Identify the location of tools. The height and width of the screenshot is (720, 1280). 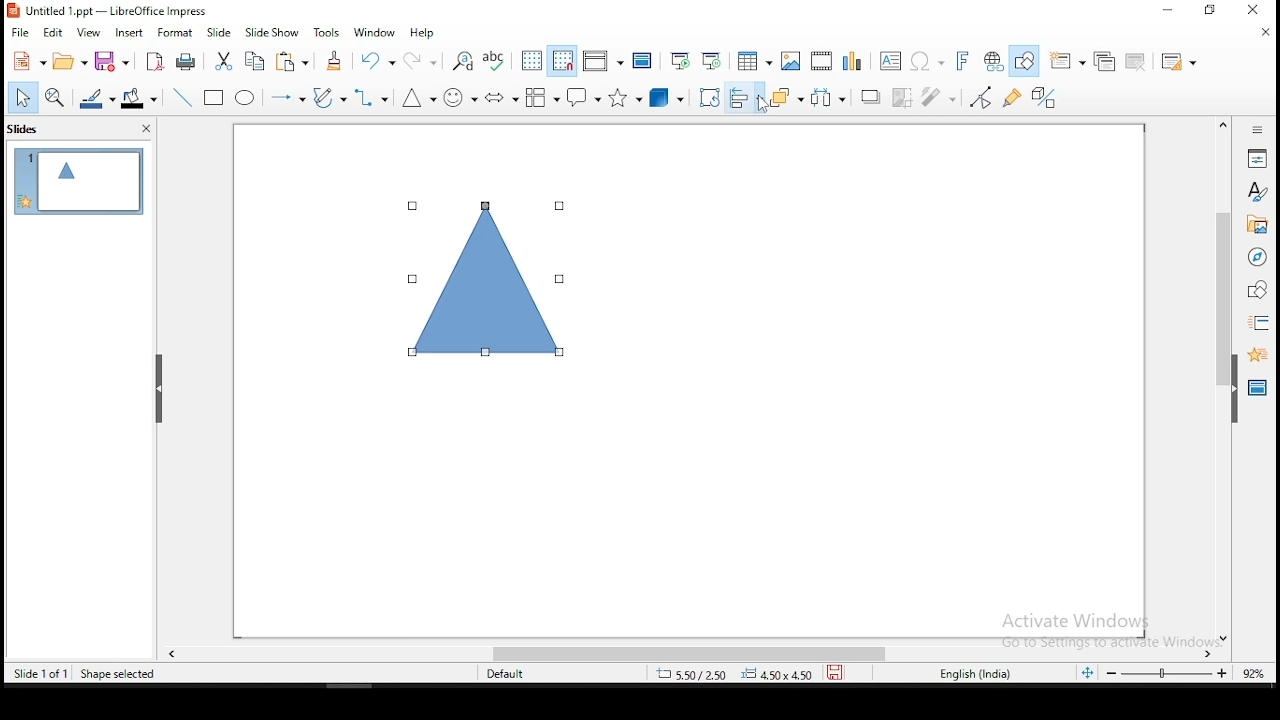
(330, 31).